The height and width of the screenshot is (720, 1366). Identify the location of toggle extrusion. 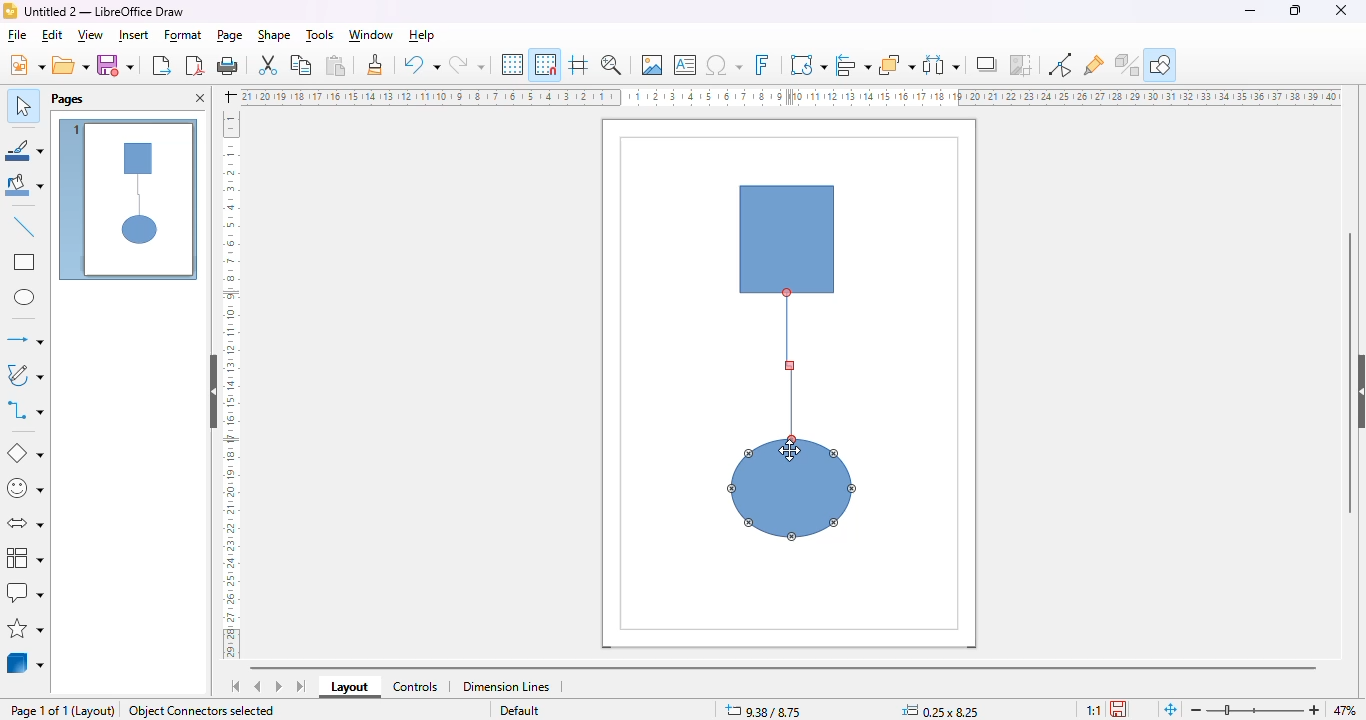
(1128, 65).